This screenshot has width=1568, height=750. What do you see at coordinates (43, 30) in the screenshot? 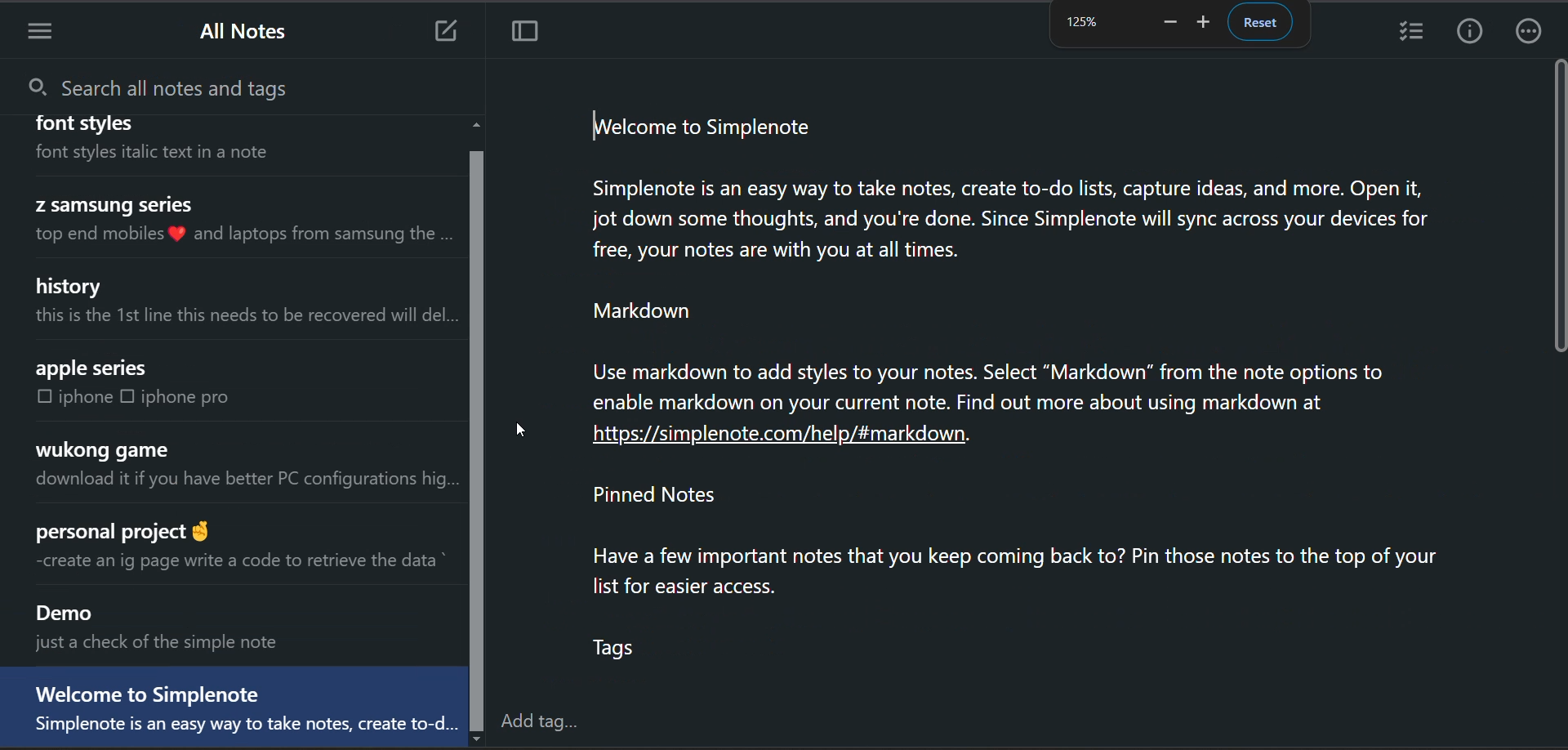
I see `menu` at bounding box center [43, 30].